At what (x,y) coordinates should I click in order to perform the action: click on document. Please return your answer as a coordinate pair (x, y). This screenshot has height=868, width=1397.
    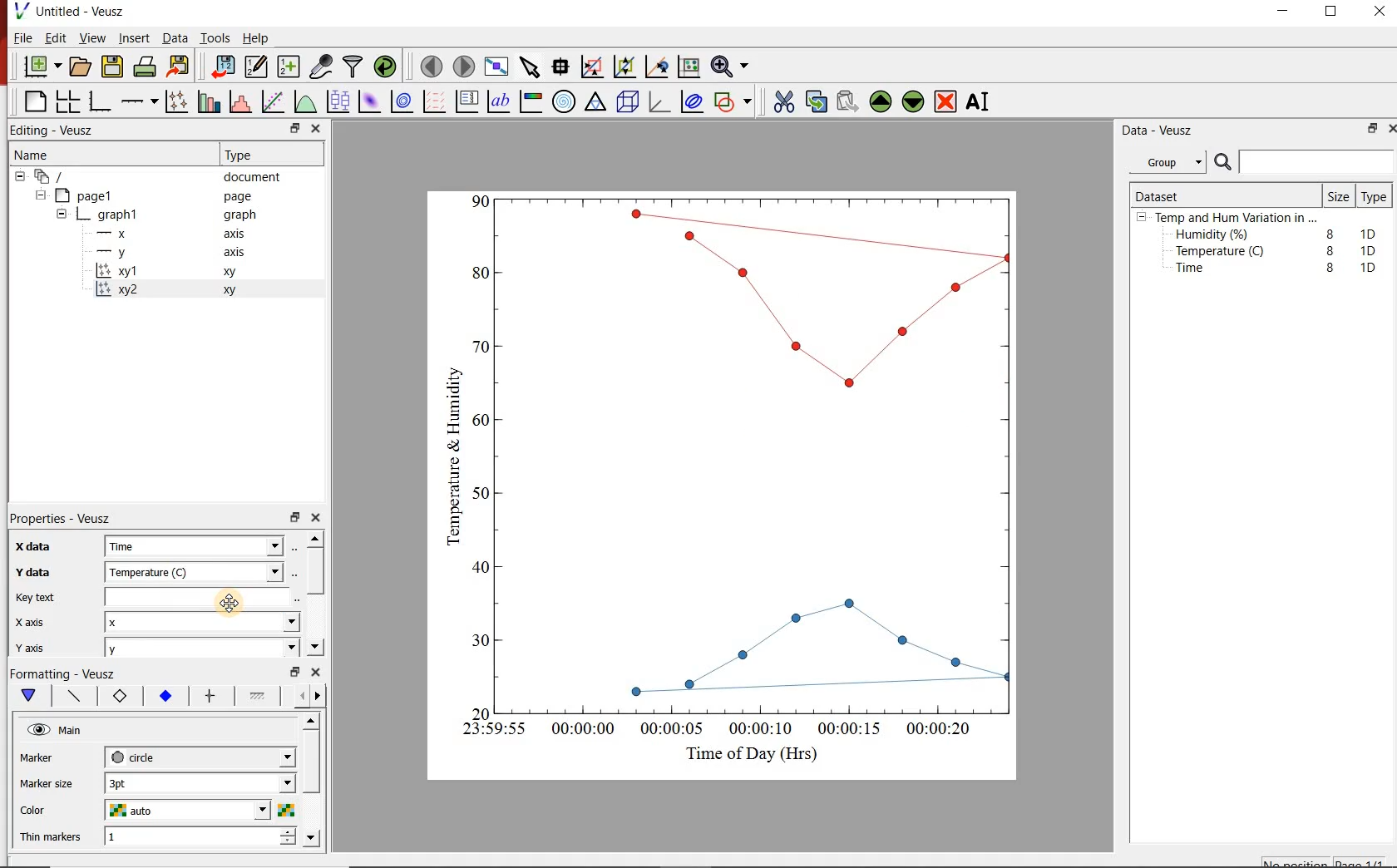
    Looking at the image, I should click on (258, 177).